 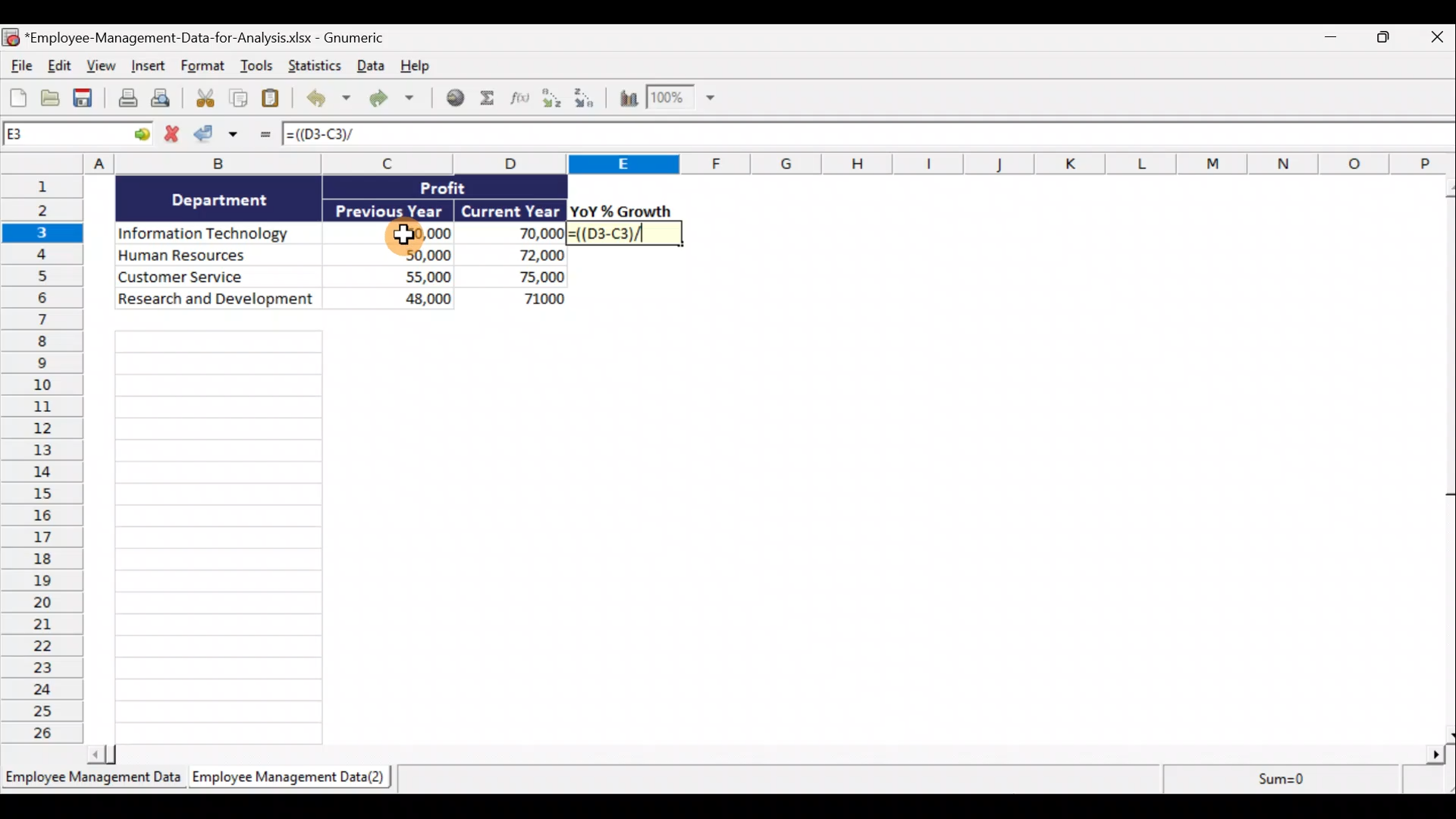 What do you see at coordinates (221, 137) in the screenshot?
I see `Accept change` at bounding box center [221, 137].